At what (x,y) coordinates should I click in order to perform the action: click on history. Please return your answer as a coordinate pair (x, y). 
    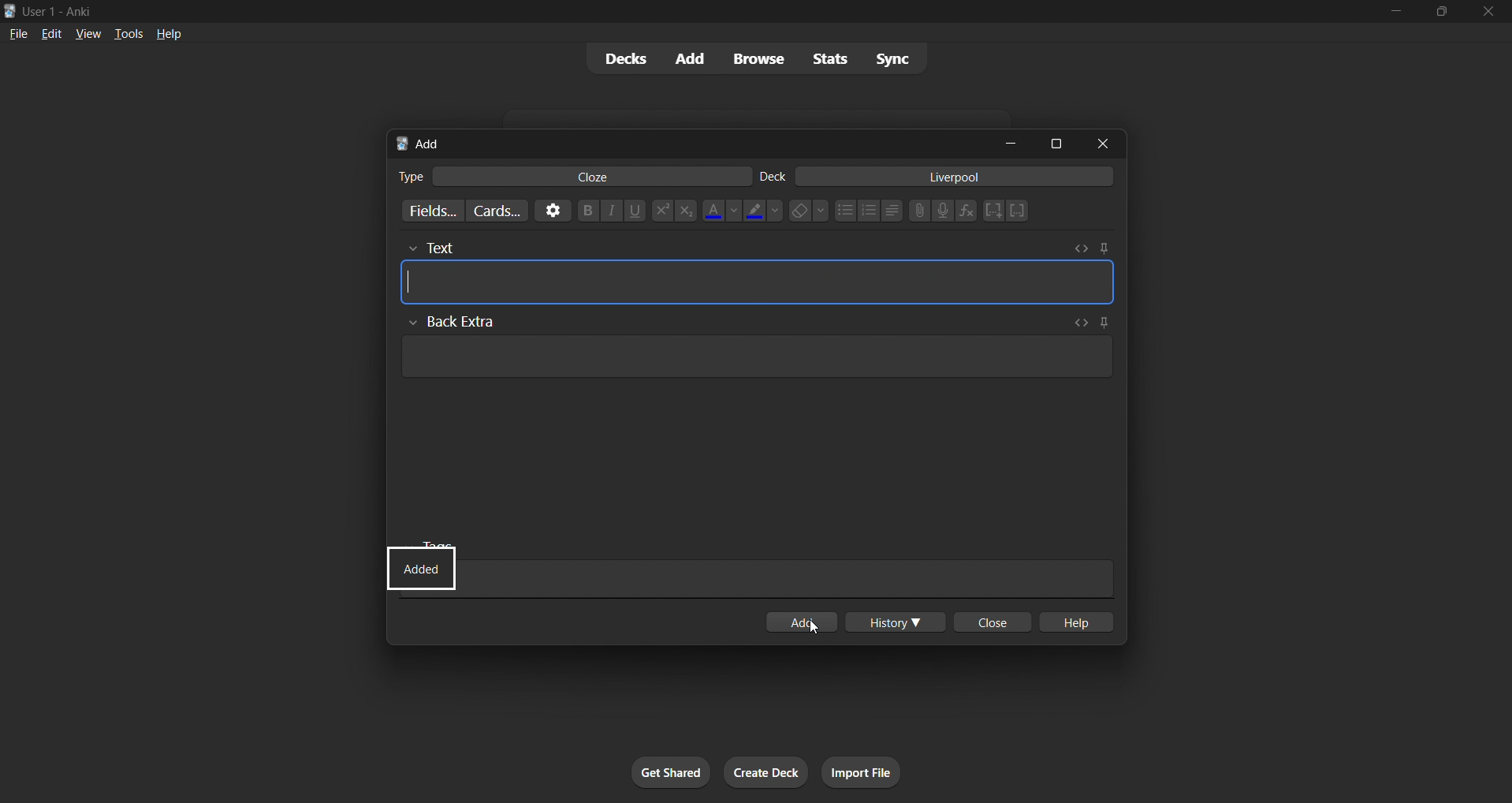
    Looking at the image, I should click on (898, 622).